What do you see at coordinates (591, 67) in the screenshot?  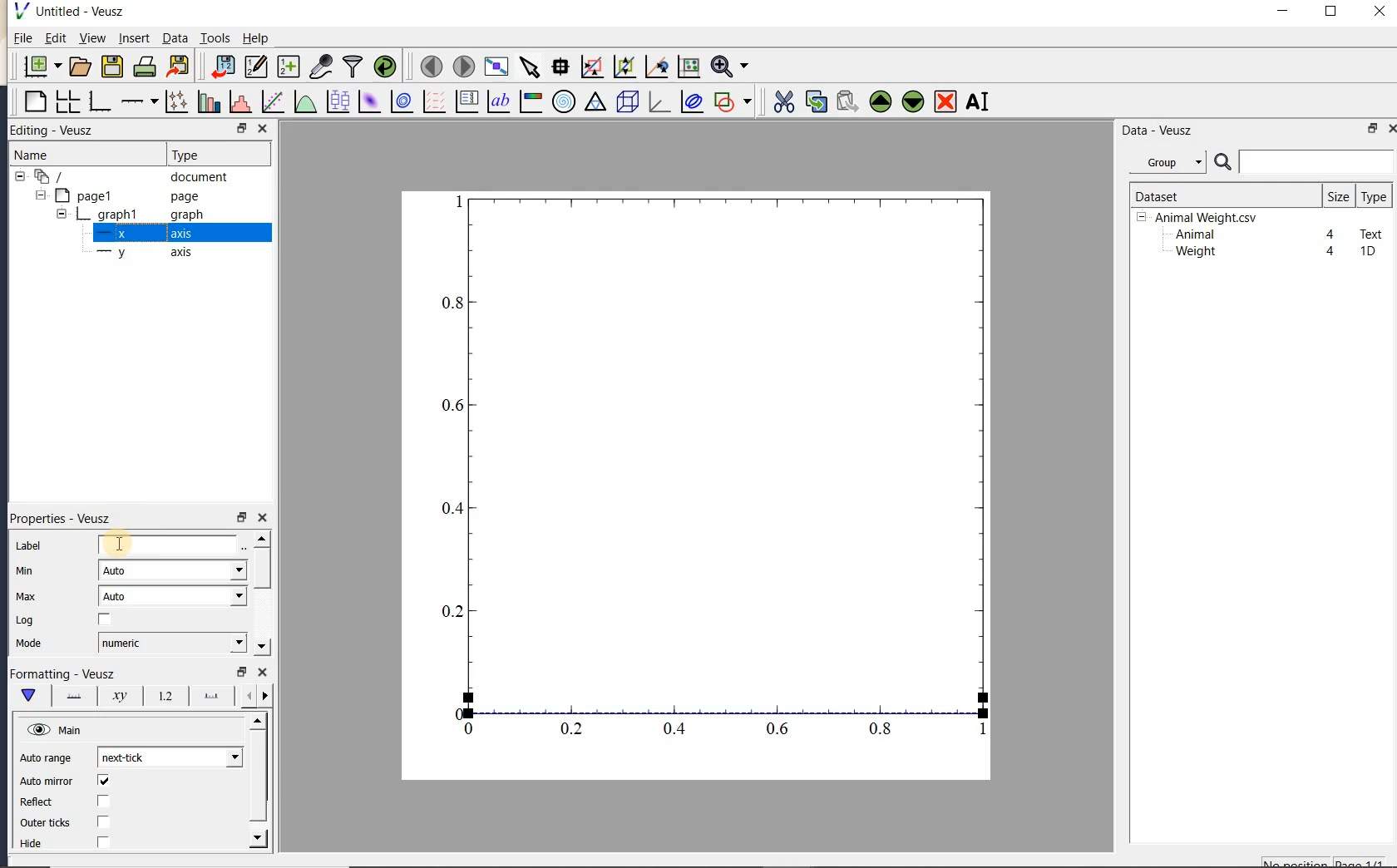 I see `click or draw a rectangle to zoom graph axes` at bounding box center [591, 67].